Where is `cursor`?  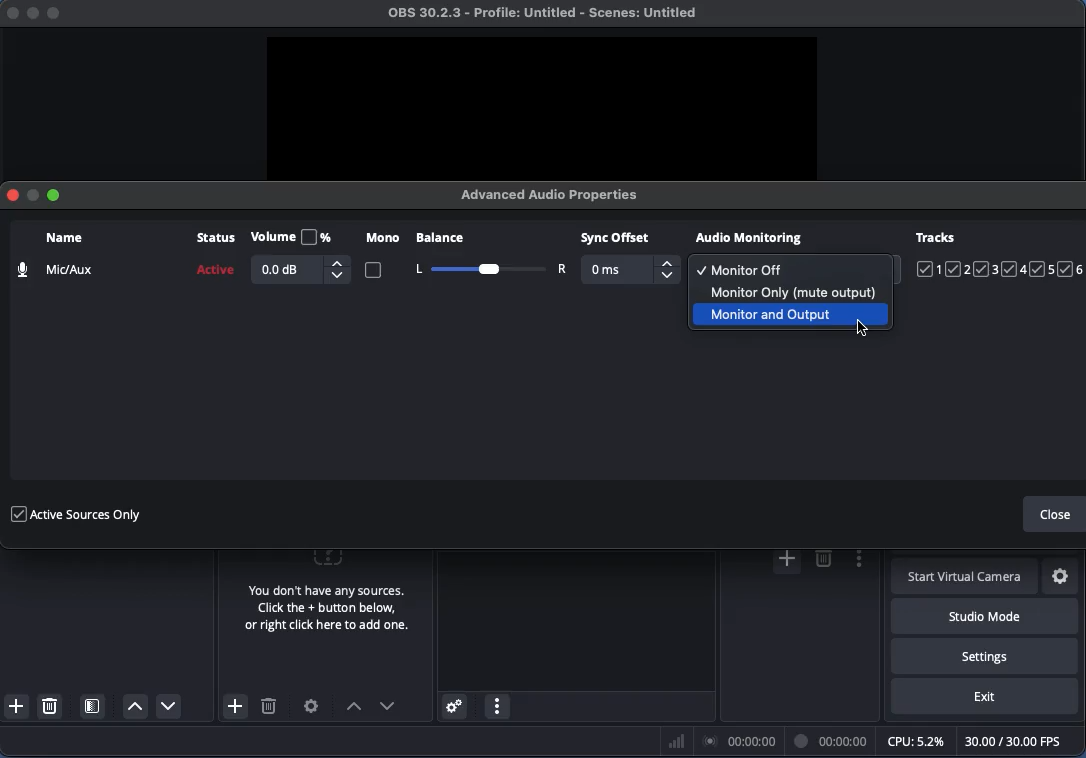 cursor is located at coordinates (865, 332).